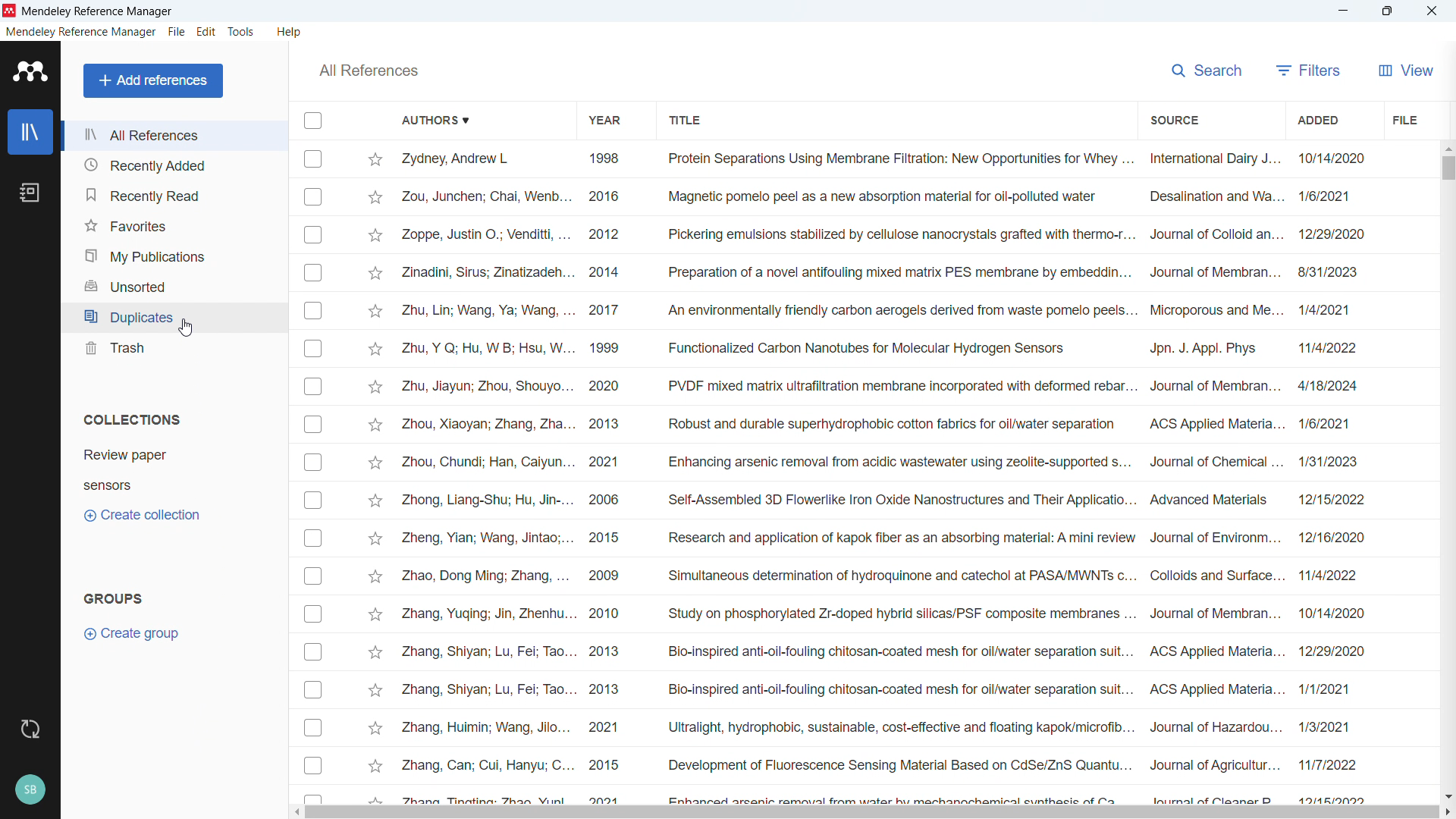 This screenshot has height=819, width=1456. I want to click on Scroll right , so click(1447, 813).